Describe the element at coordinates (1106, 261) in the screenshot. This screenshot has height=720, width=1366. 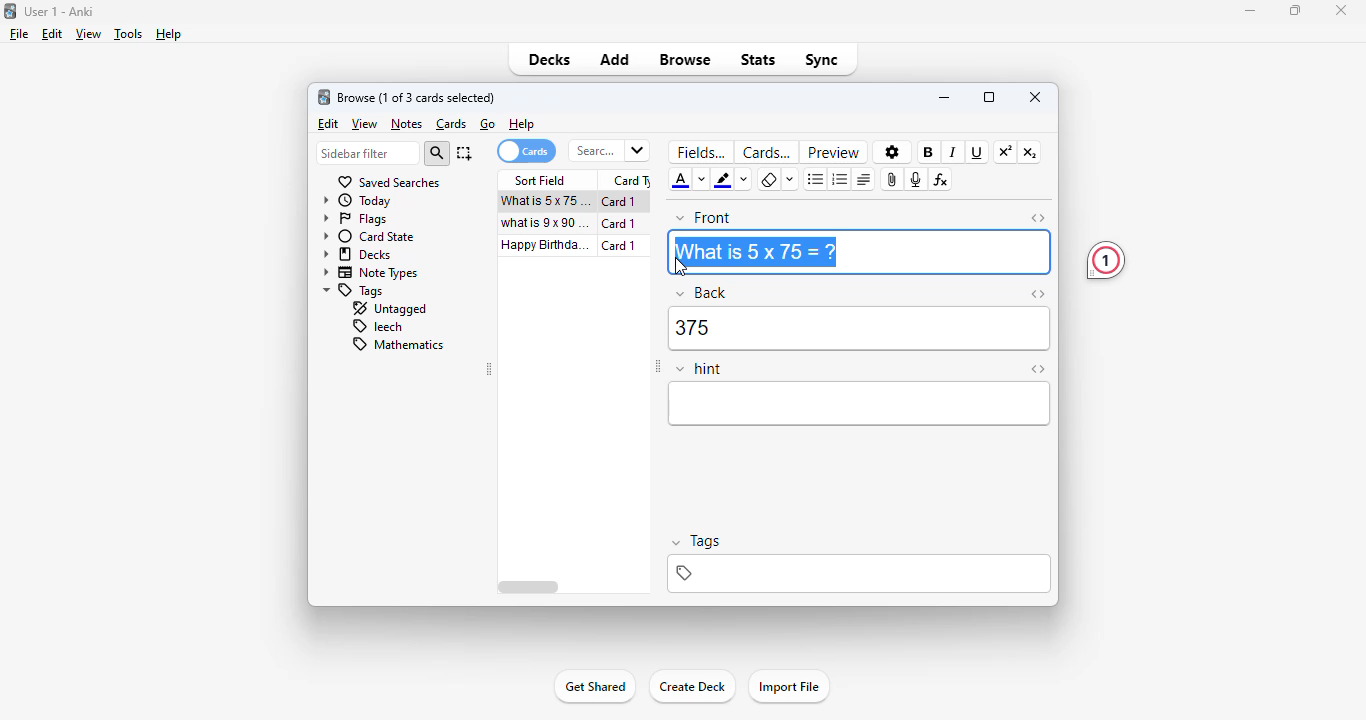
I see `1` at that location.